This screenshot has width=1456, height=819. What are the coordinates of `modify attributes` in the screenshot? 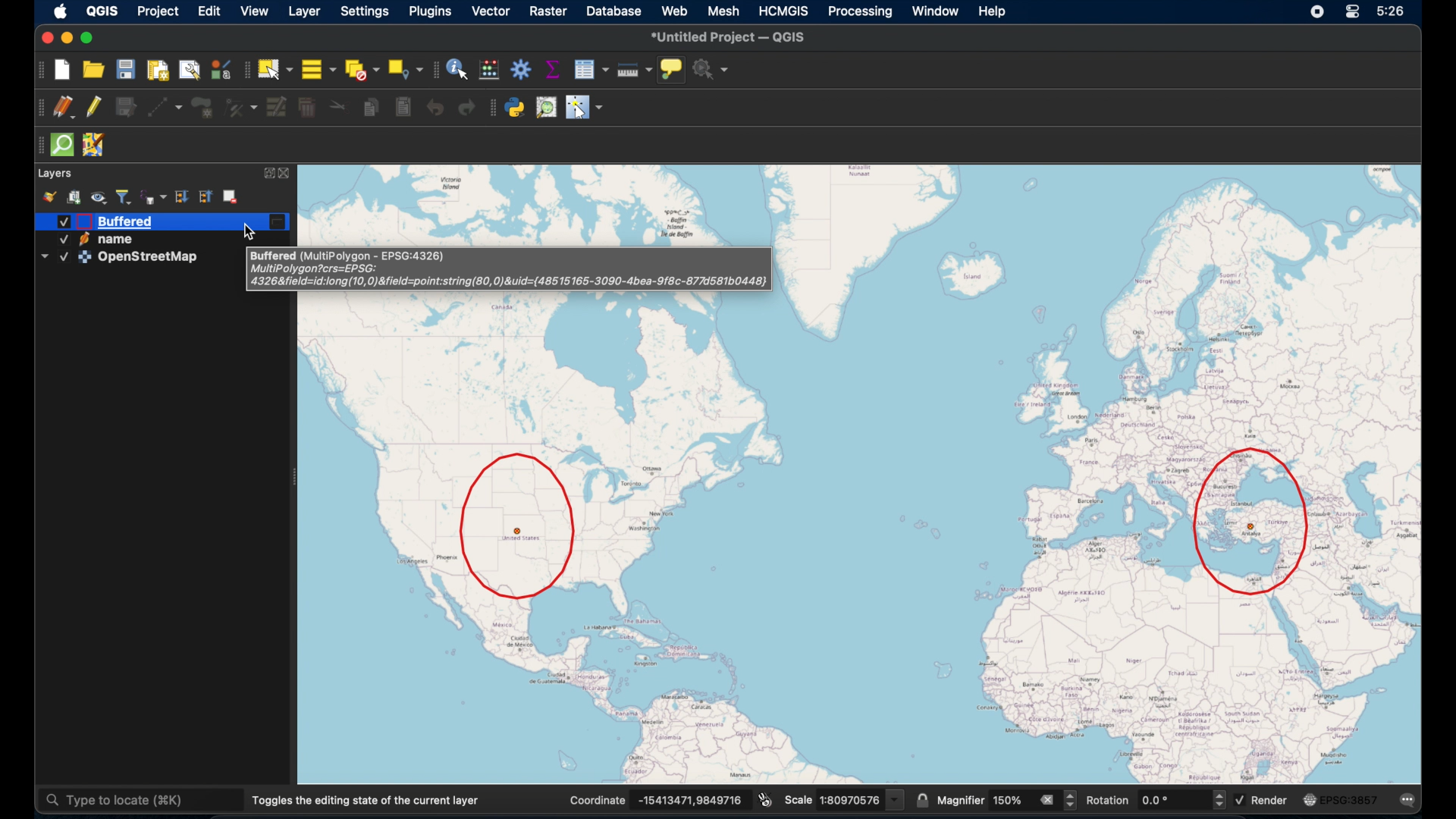 It's located at (276, 105).